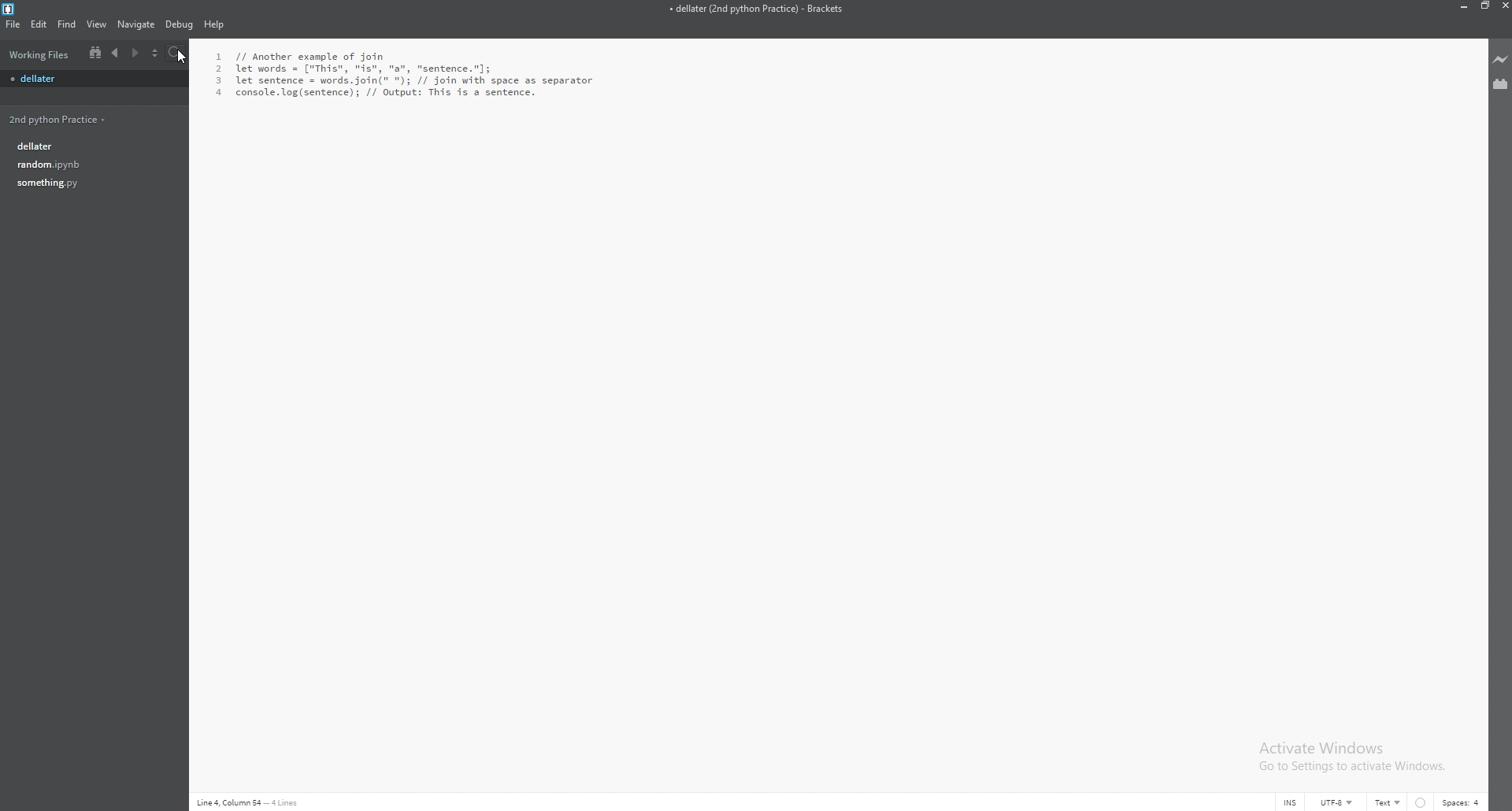 Image resolution: width=1512 pixels, height=811 pixels. What do you see at coordinates (91, 80) in the screenshot?
I see `file` at bounding box center [91, 80].